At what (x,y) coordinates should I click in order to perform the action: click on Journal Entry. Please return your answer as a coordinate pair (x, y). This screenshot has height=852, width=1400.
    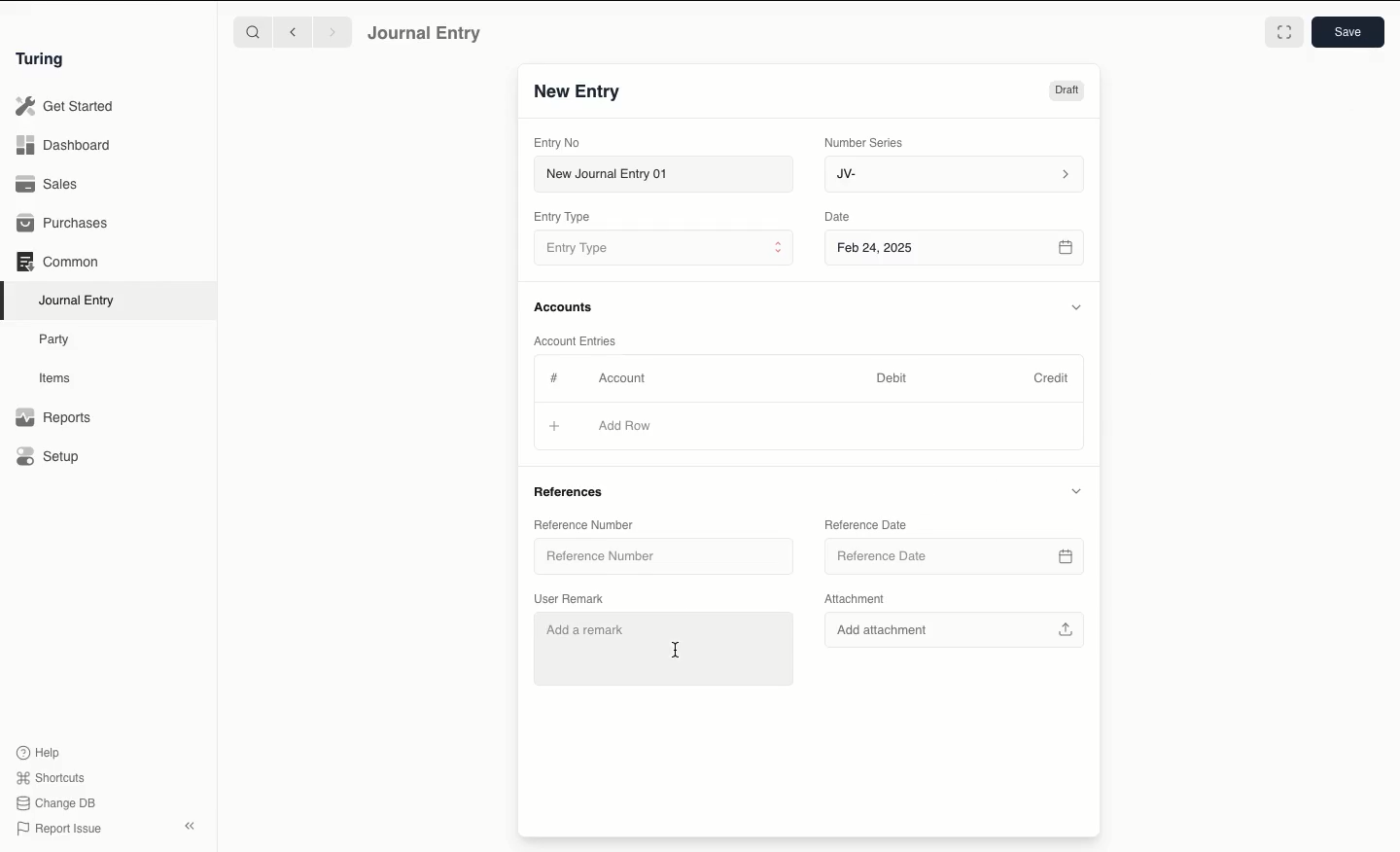
    Looking at the image, I should click on (78, 302).